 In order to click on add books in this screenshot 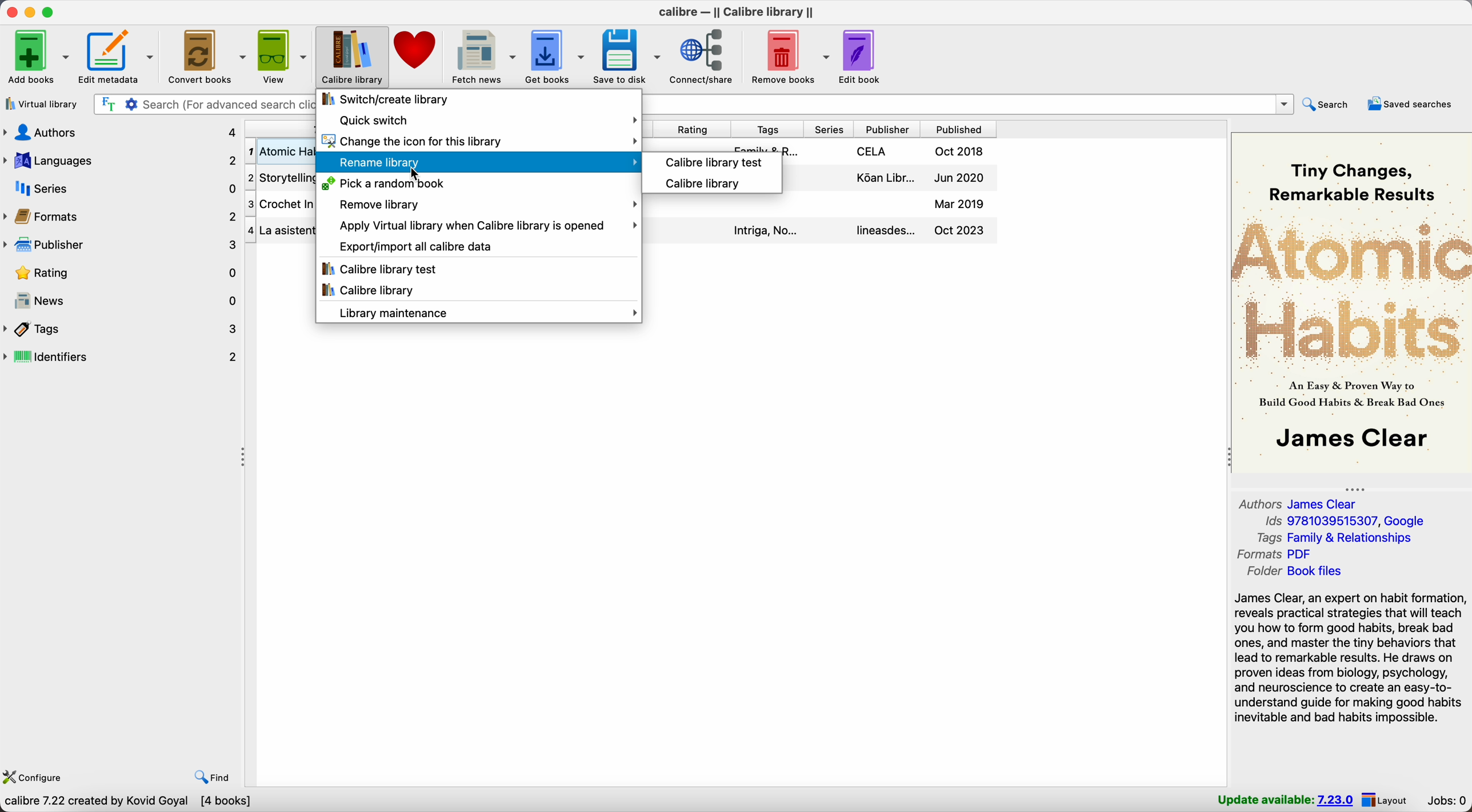, I will do `click(39, 57)`.